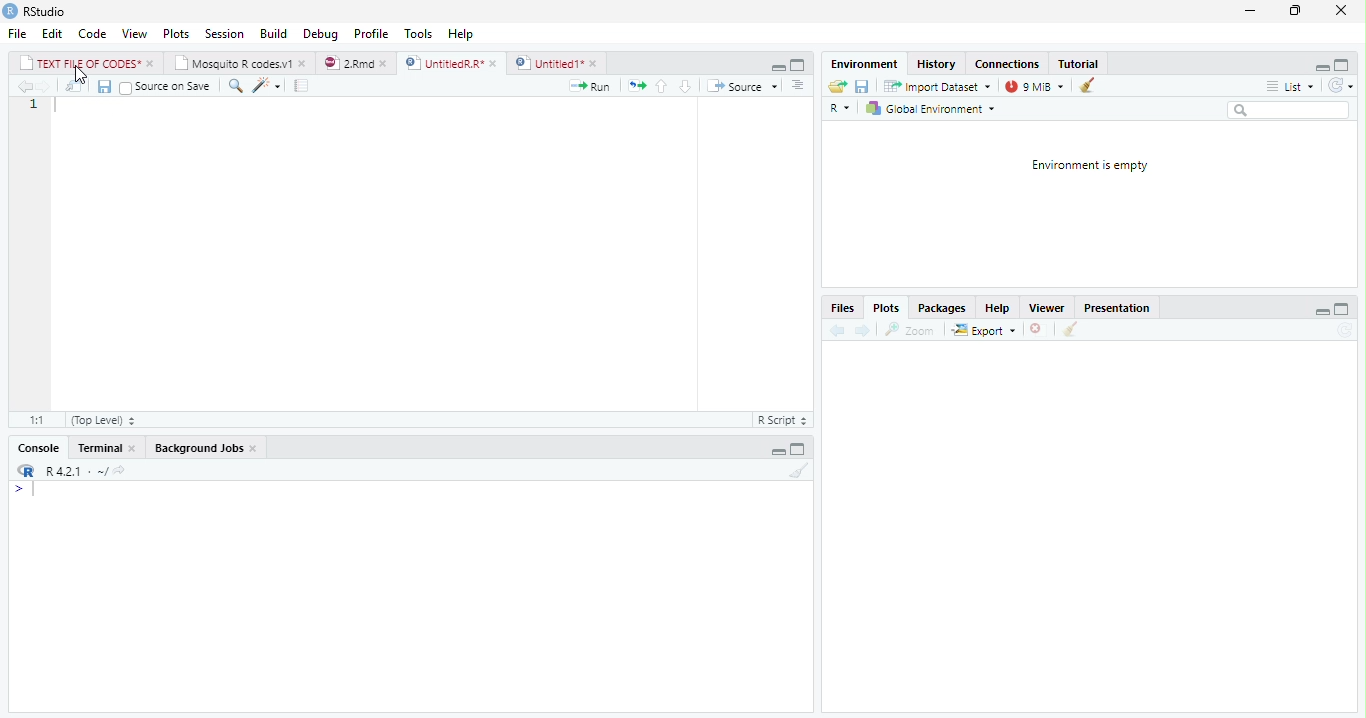 This screenshot has height=718, width=1366. What do you see at coordinates (941, 87) in the screenshot?
I see `imoort Dataset ~` at bounding box center [941, 87].